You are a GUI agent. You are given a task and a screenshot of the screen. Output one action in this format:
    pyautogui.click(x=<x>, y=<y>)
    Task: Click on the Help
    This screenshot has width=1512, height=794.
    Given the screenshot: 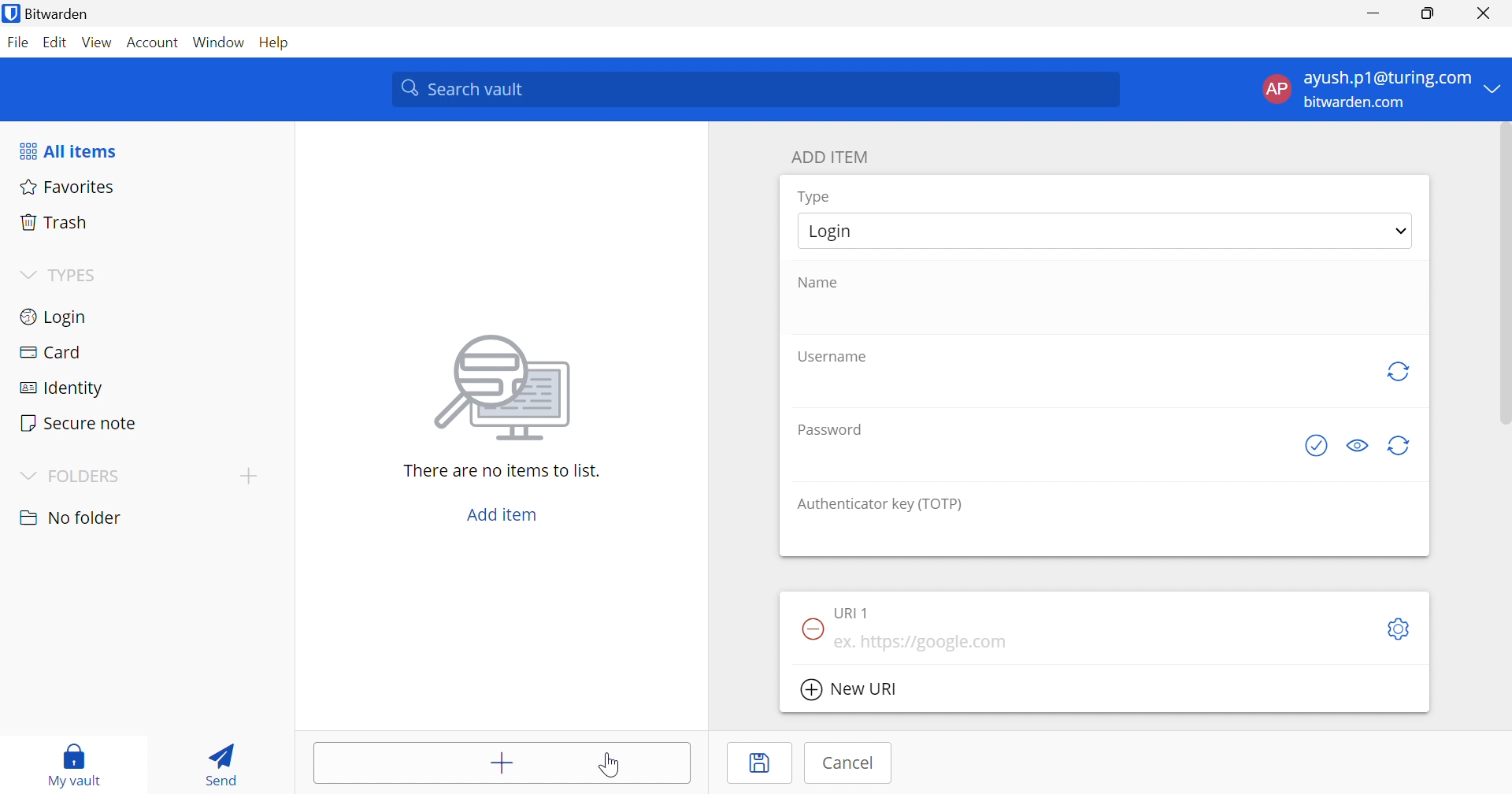 What is the action you would take?
    pyautogui.click(x=273, y=43)
    